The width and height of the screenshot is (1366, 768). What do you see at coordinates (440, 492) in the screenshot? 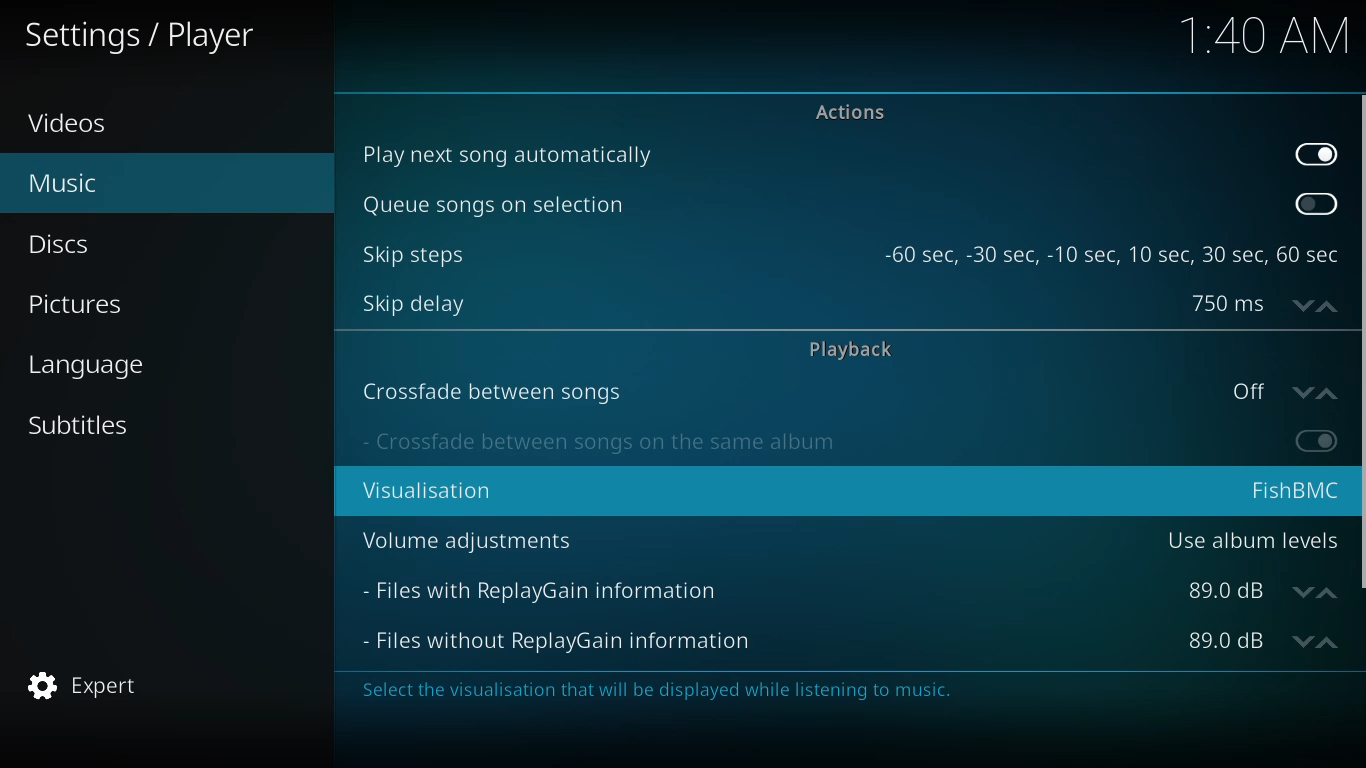
I see `visualisation` at bounding box center [440, 492].